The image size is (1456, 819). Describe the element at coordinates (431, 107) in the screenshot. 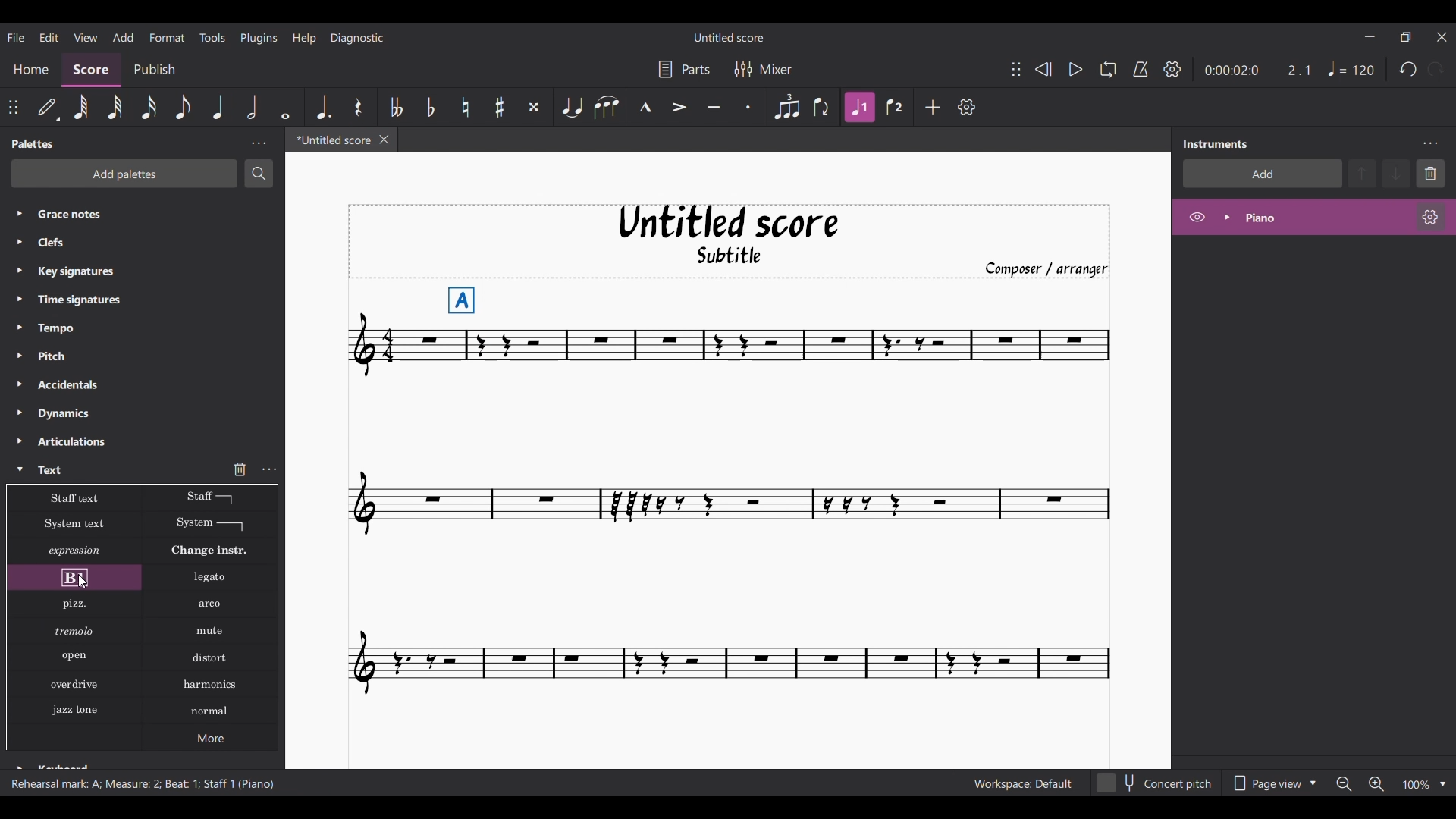

I see `Toggle flat` at that location.